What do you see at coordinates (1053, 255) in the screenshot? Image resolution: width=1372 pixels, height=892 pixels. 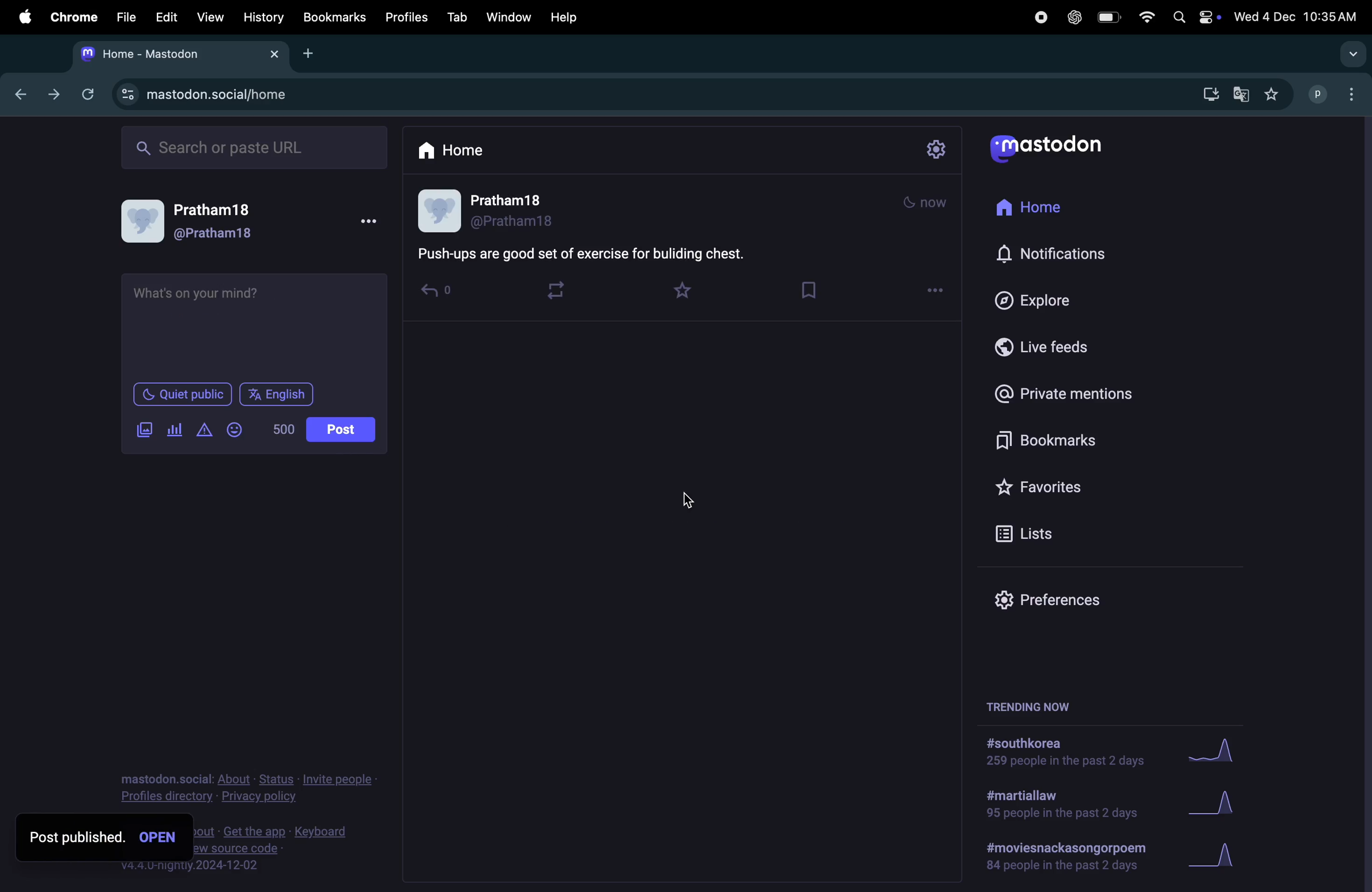 I see `Notifications` at bounding box center [1053, 255].